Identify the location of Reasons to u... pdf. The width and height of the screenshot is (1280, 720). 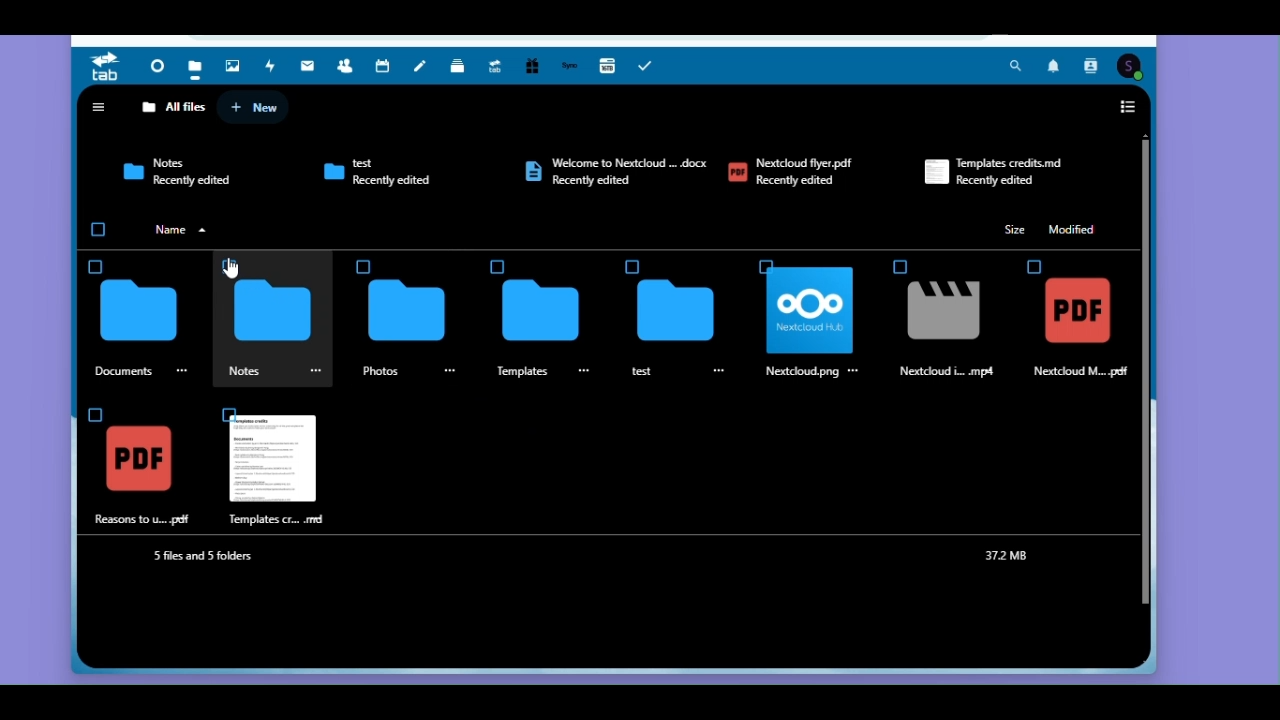
(141, 519).